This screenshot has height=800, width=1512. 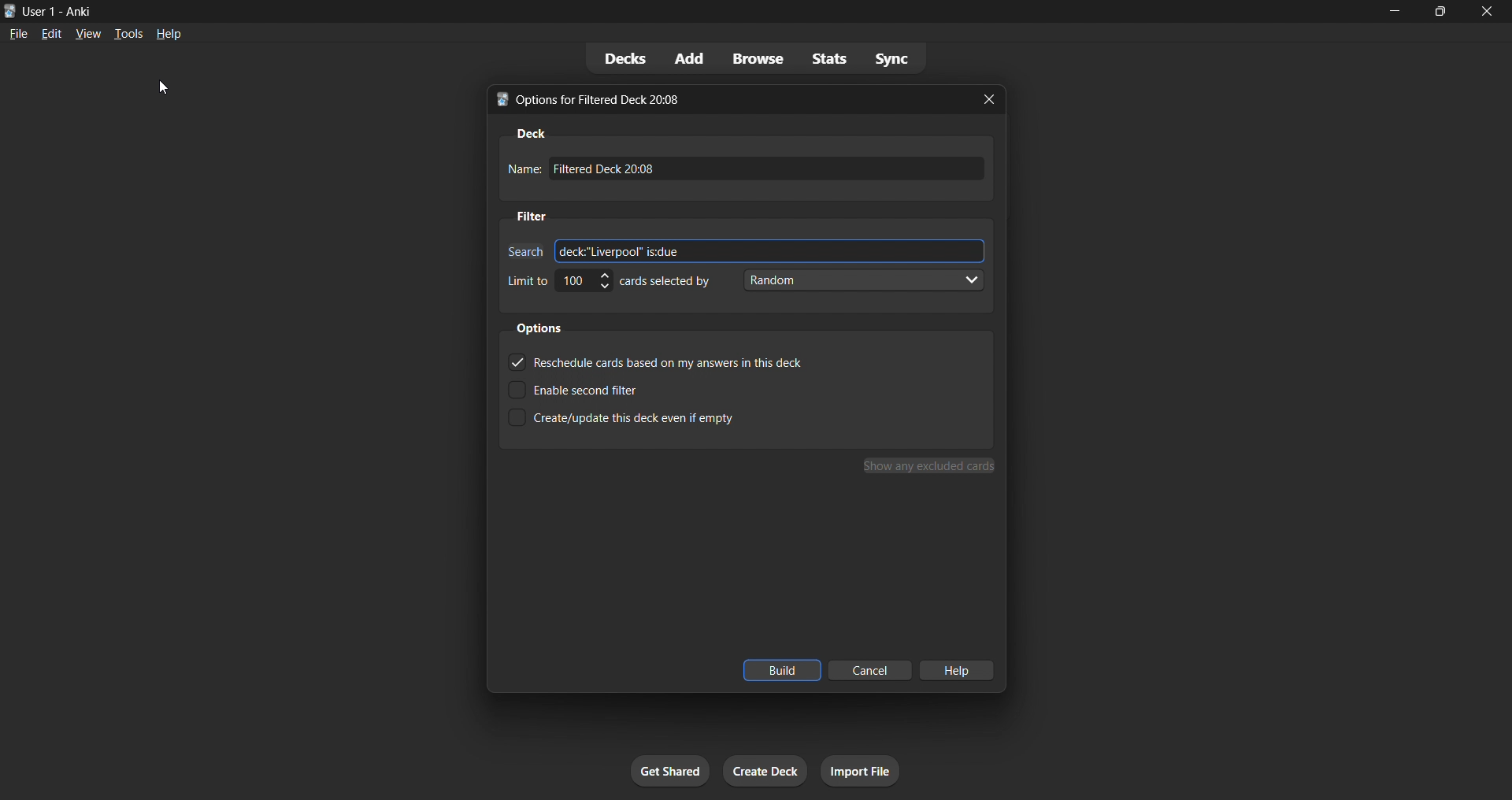 I want to click on help, so click(x=170, y=35).